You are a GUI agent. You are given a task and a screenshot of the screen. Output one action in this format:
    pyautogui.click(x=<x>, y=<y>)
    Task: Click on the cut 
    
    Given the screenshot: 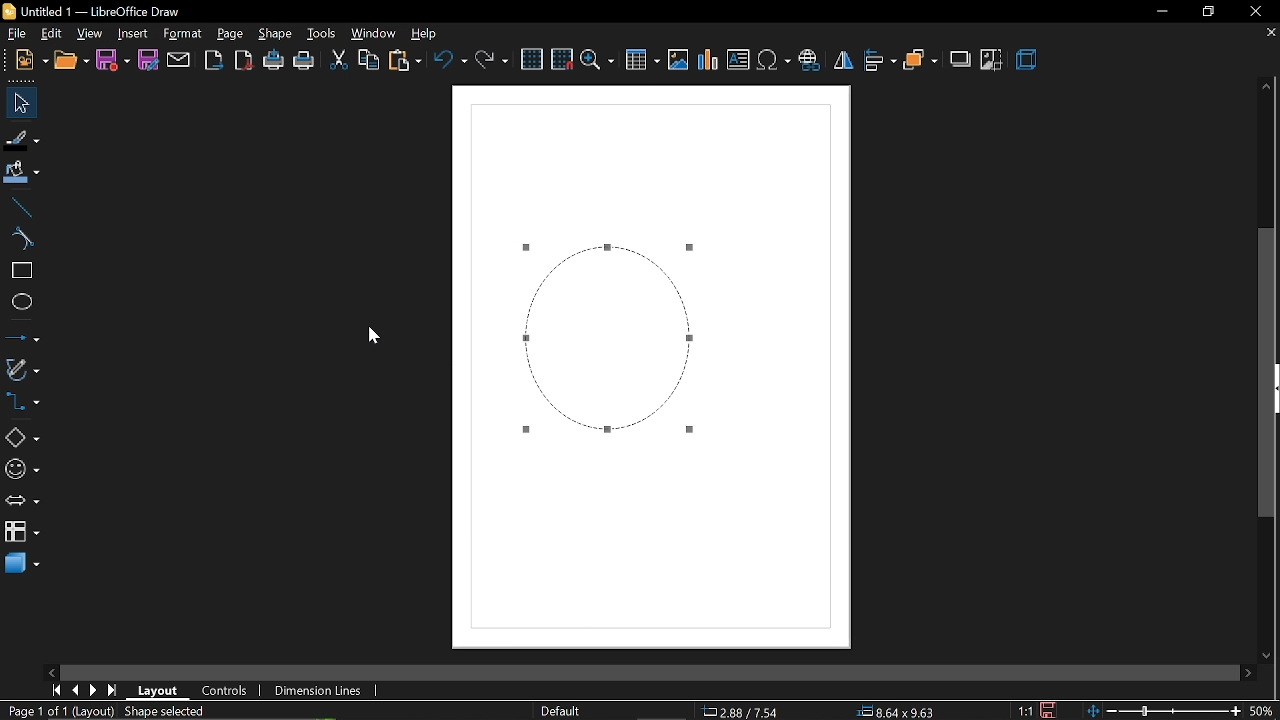 What is the action you would take?
    pyautogui.click(x=339, y=61)
    